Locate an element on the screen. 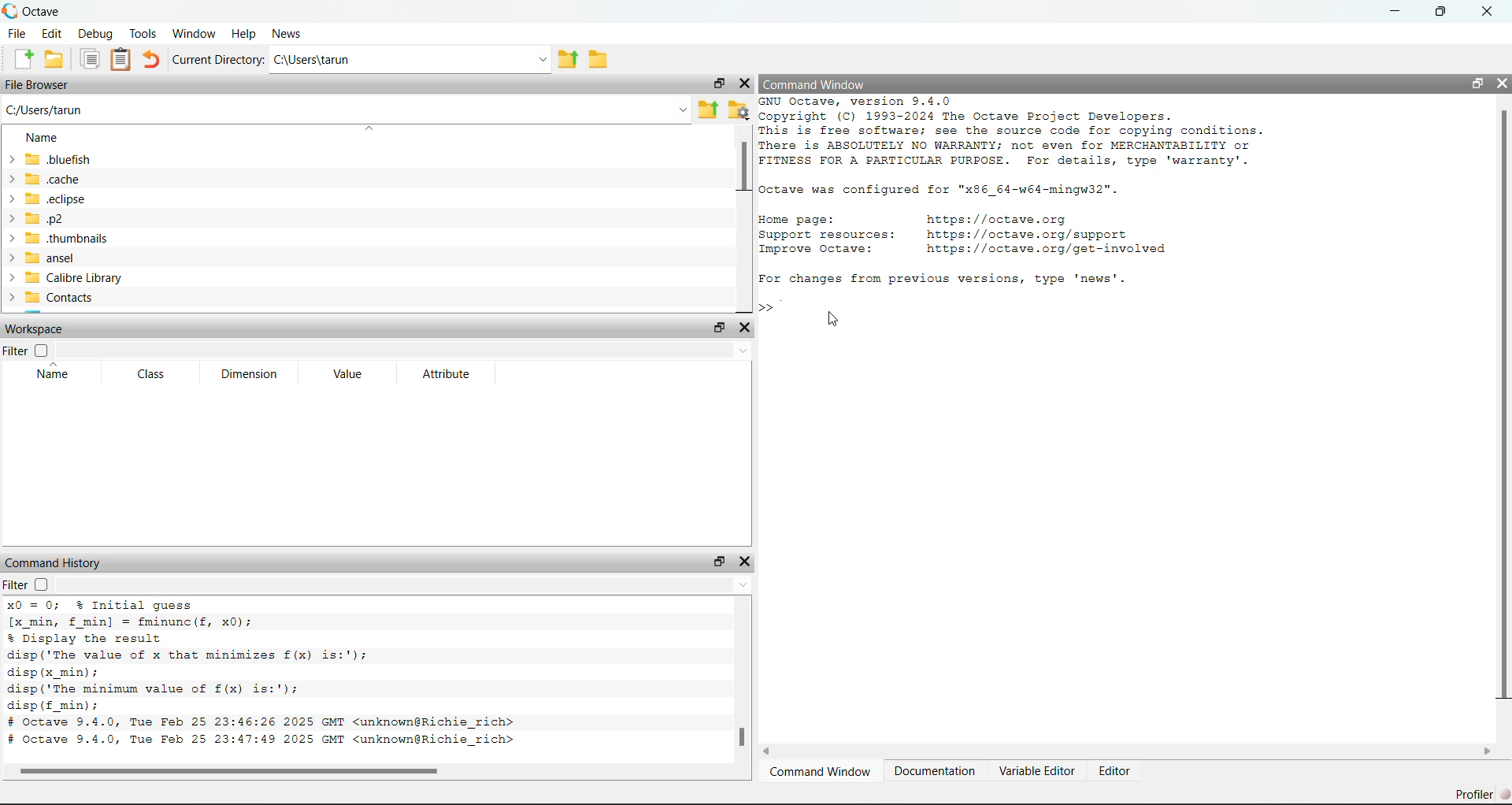  Scrollbar is located at coordinates (740, 738).